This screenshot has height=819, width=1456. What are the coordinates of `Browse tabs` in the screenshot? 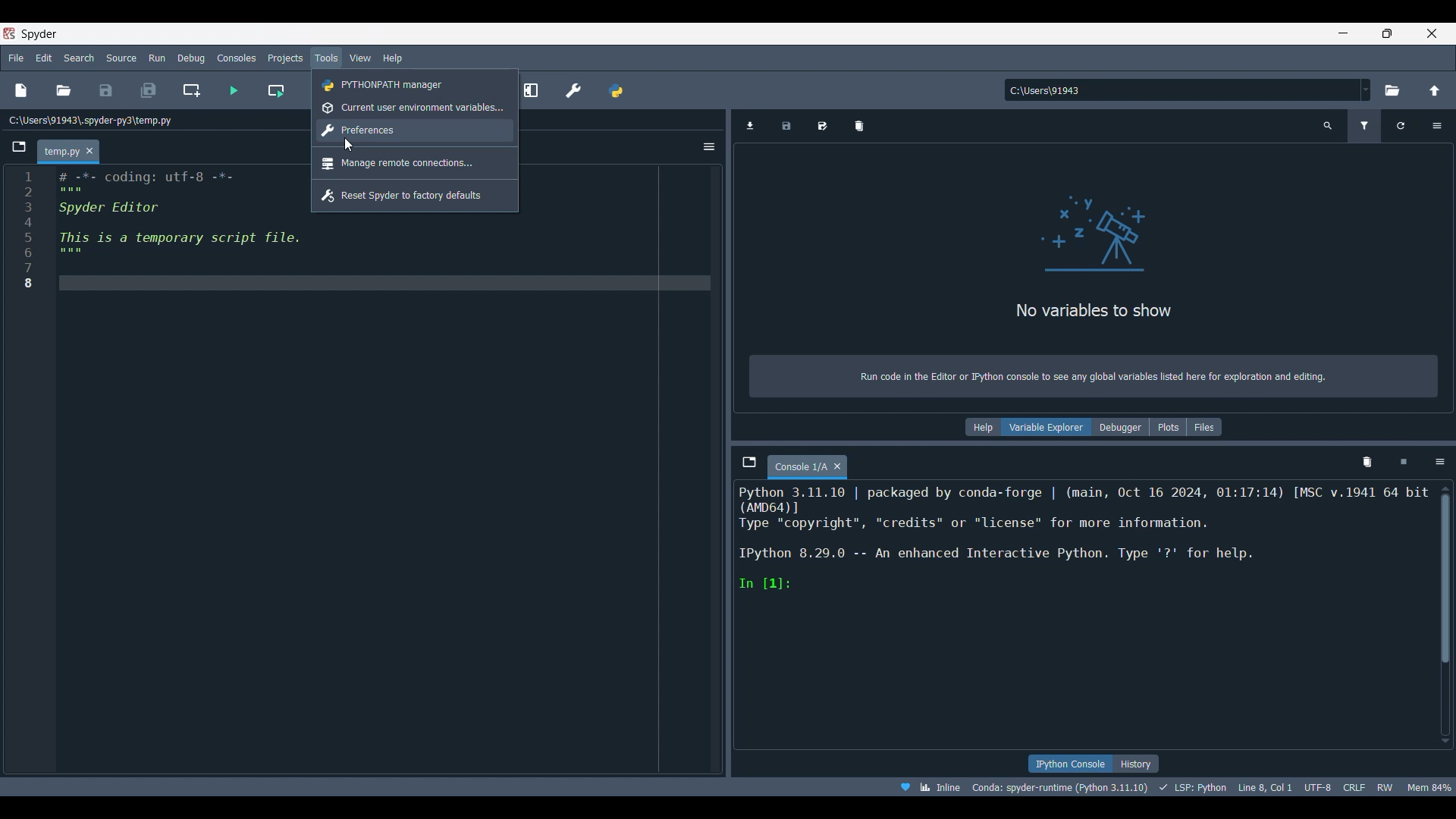 It's located at (18, 147).